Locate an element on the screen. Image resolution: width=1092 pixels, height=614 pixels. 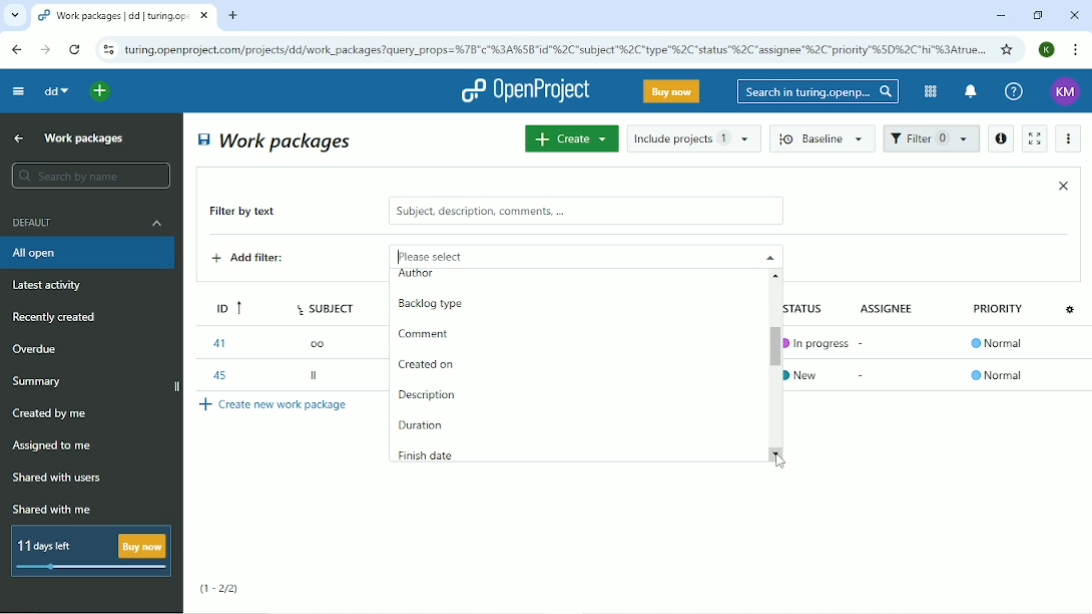
New tab is located at coordinates (233, 16).